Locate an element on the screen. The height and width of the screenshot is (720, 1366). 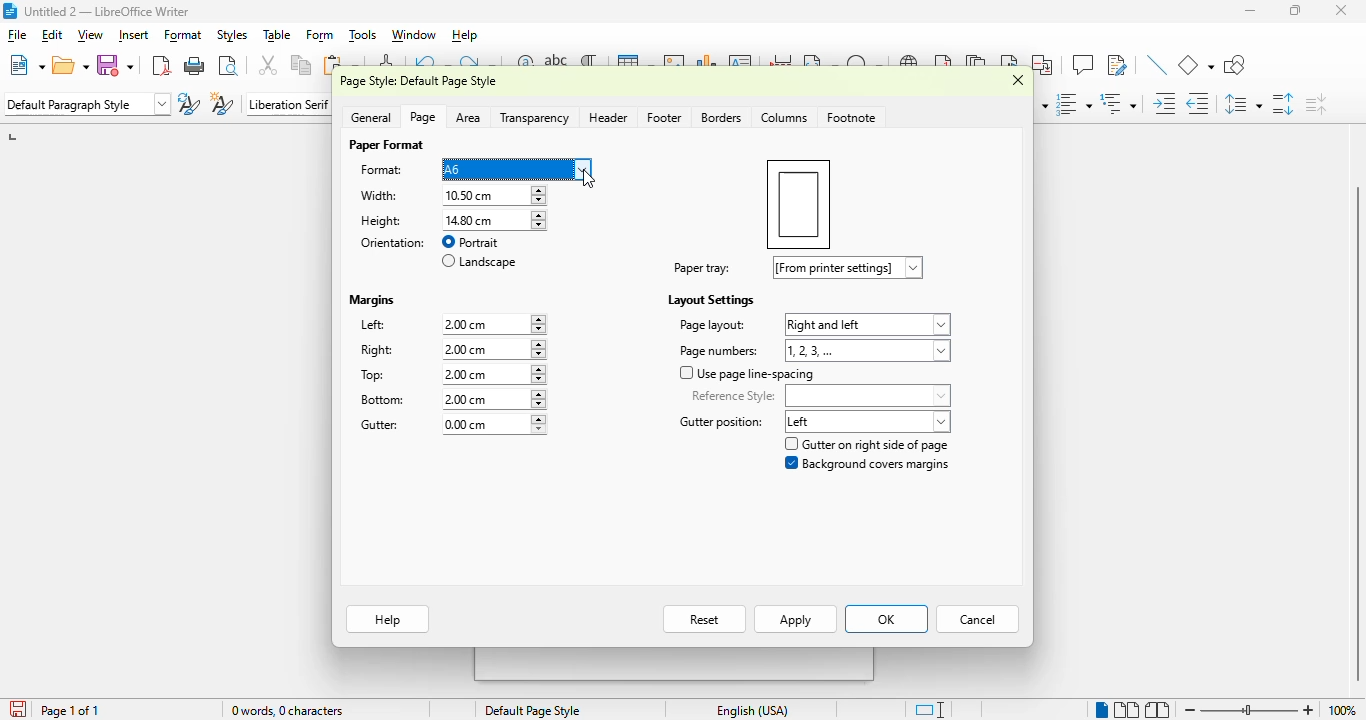
height: 14.80 cm is located at coordinates (449, 220).